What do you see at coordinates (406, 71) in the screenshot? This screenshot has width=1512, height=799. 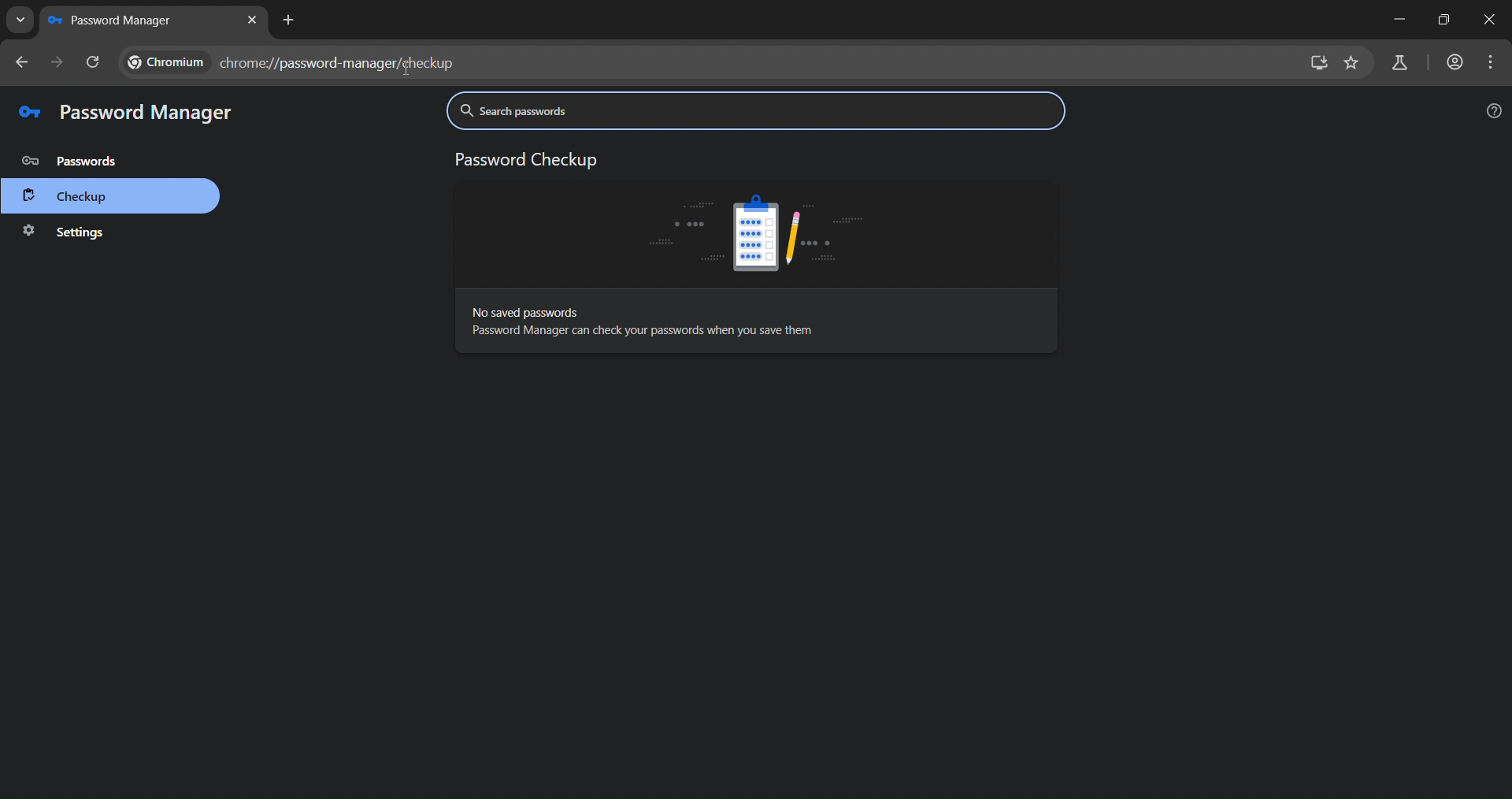 I see `cursor` at bounding box center [406, 71].